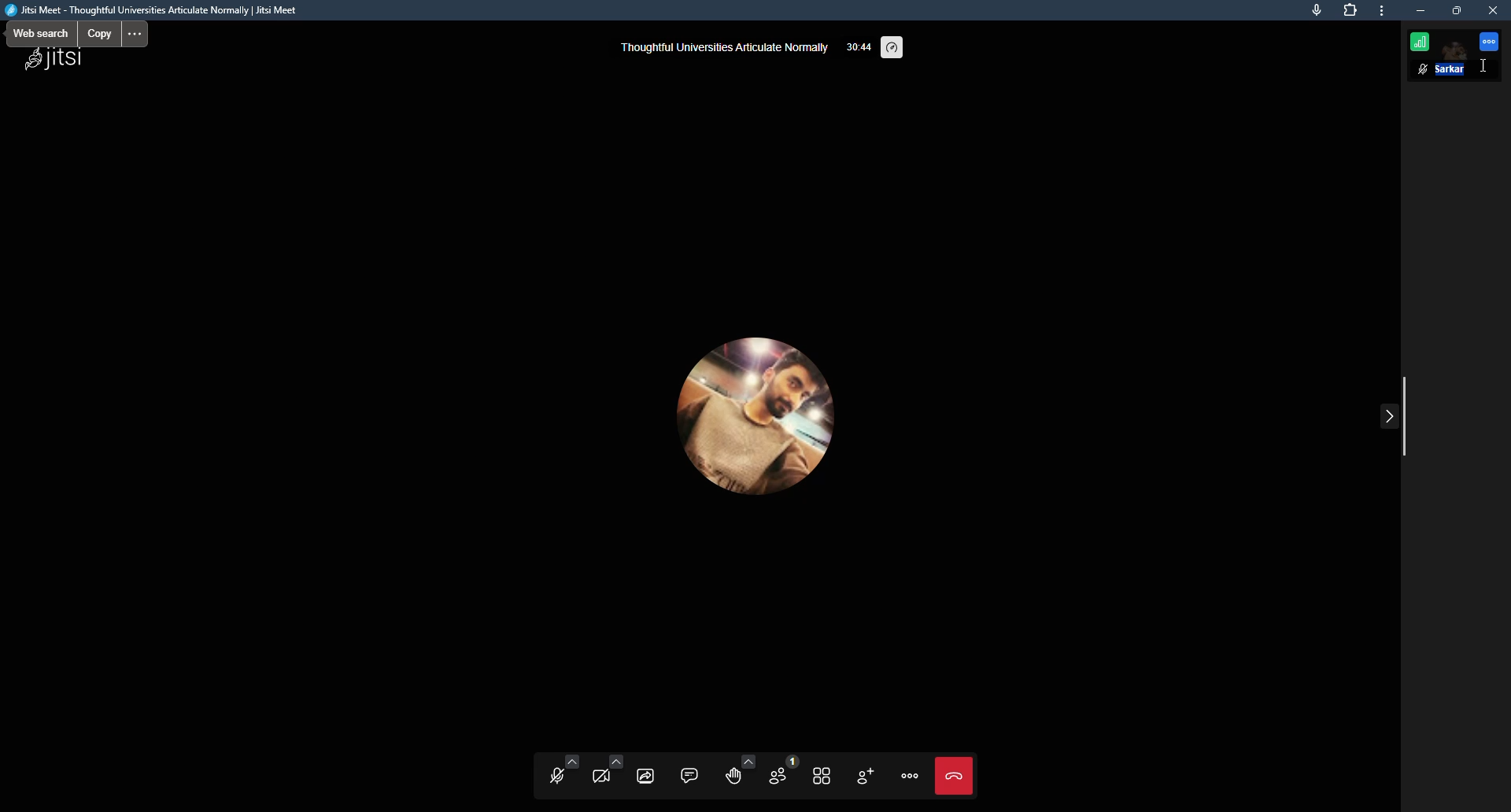 The image size is (1511, 812). Describe the element at coordinates (955, 775) in the screenshot. I see `Leave meeting` at that location.